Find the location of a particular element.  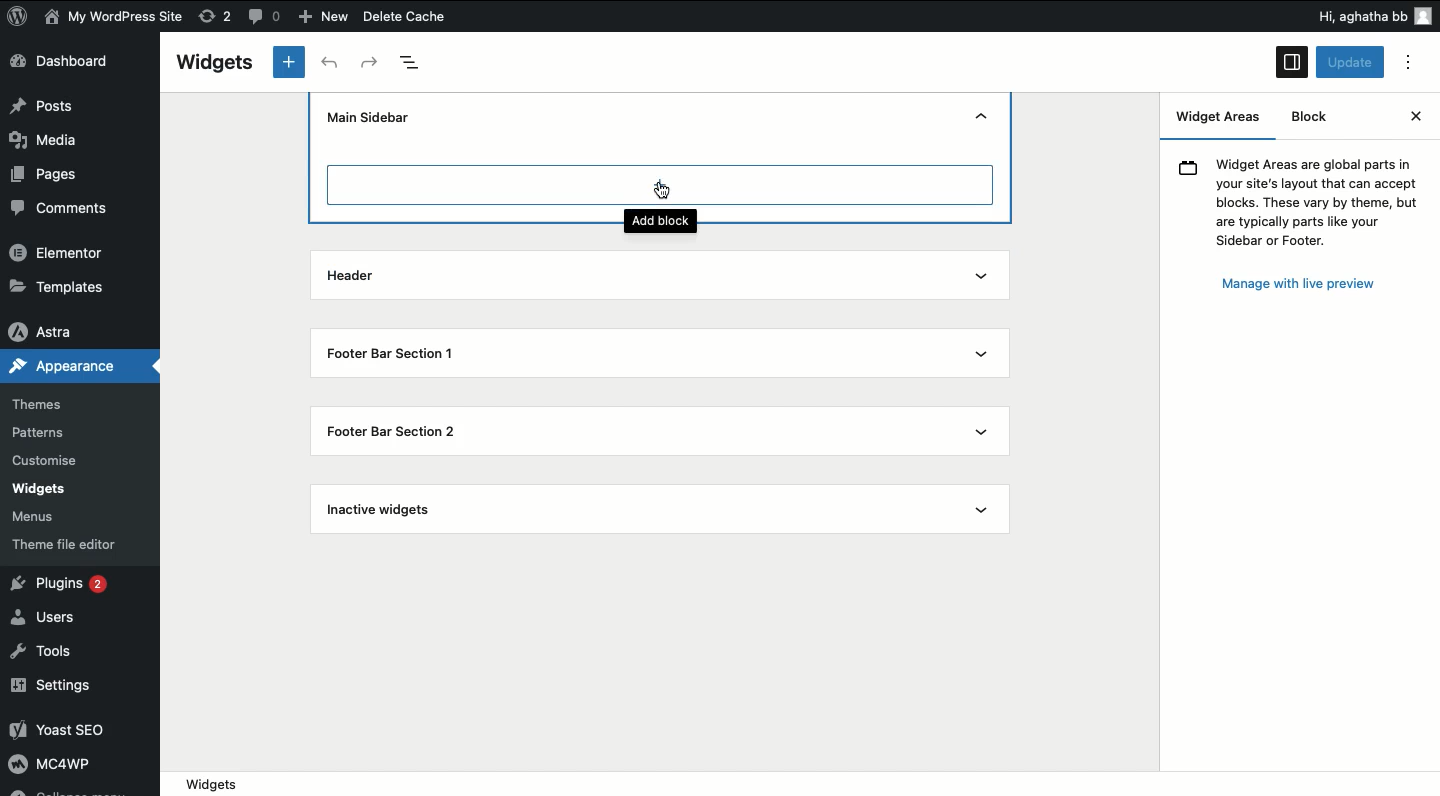

Posts is located at coordinates (45, 106).